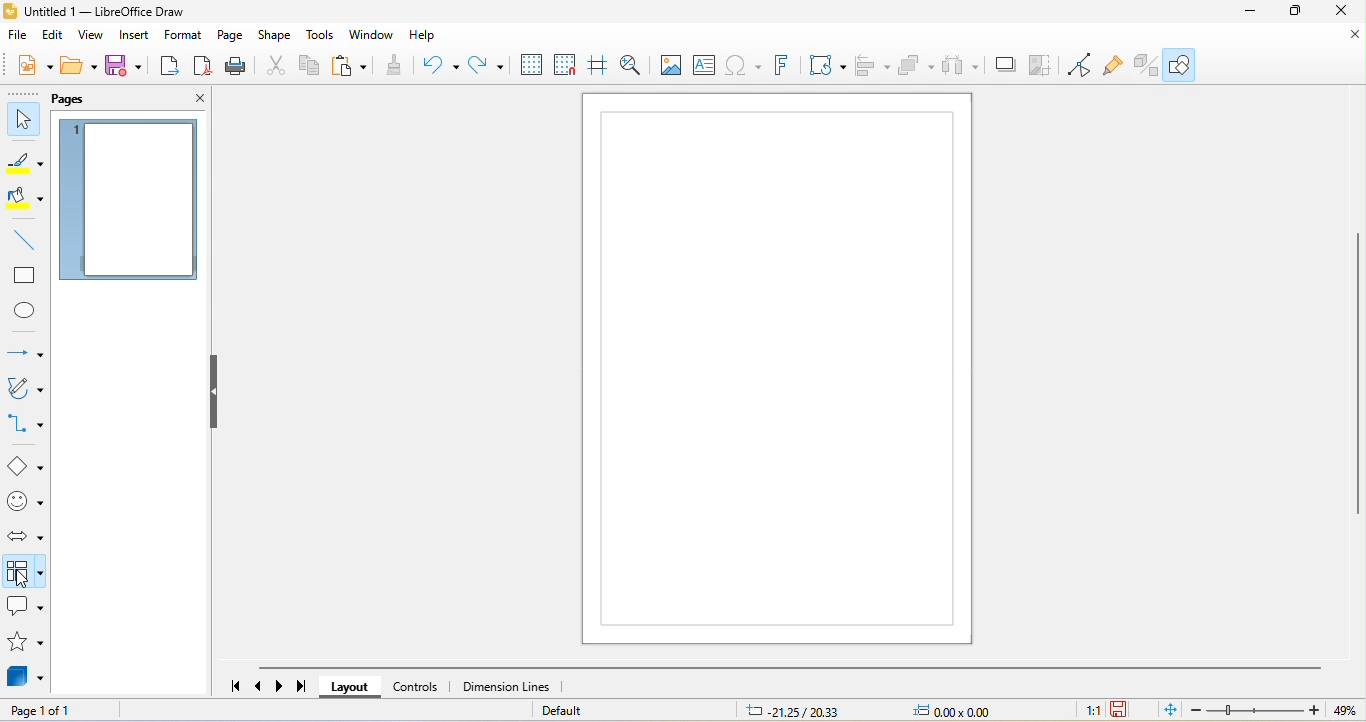  I want to click on select at least three object to distribute, so click(967, 66).